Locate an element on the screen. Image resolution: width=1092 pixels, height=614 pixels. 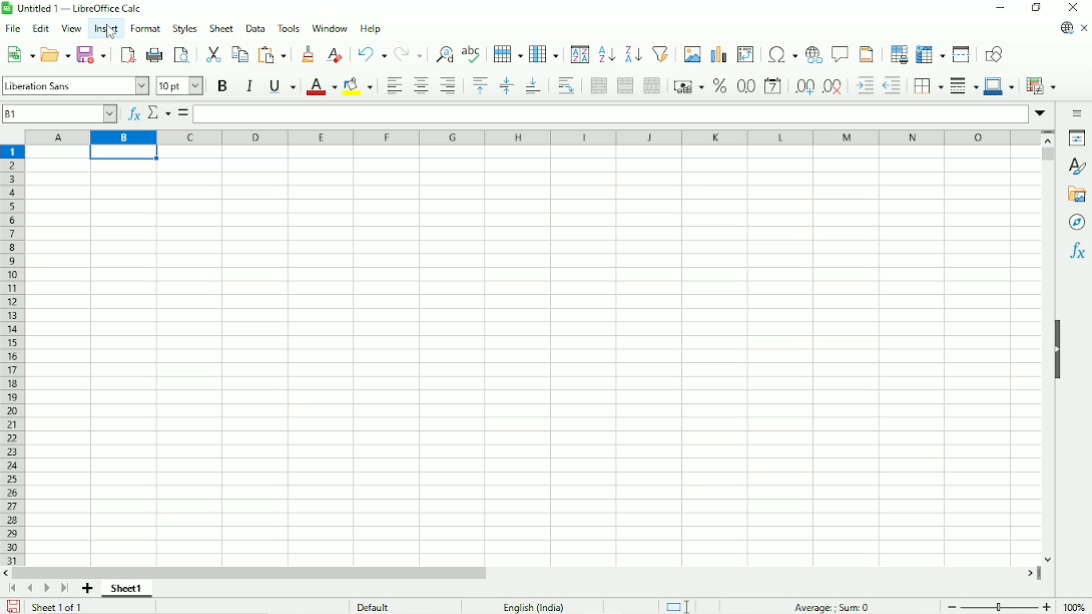
Sheet number is located at coordinates (127, 589).